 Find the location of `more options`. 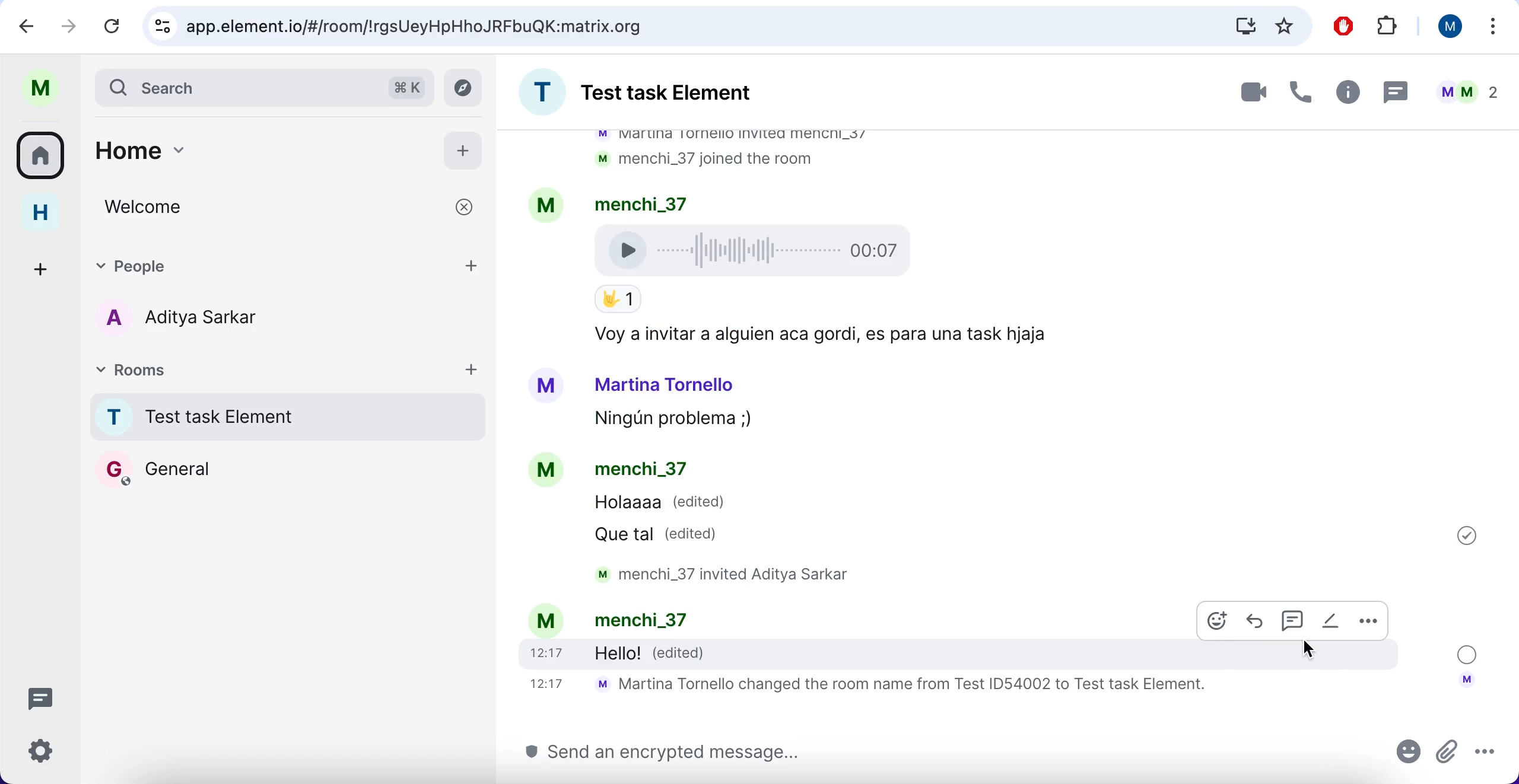

more options is located at coordinates (1374, 620).